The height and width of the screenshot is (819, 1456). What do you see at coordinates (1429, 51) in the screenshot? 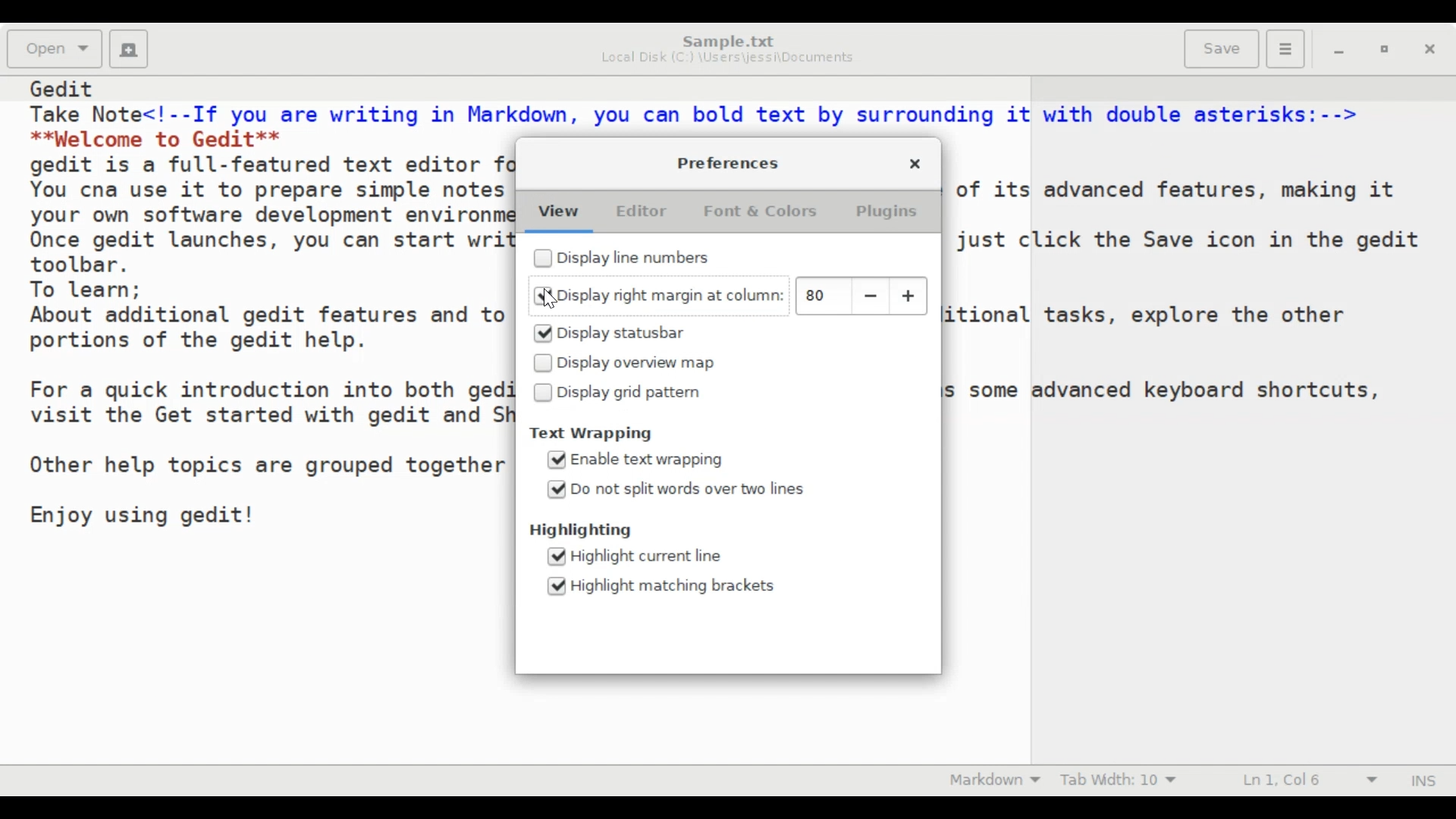
I see `close` at bounding box center [1429, 51].